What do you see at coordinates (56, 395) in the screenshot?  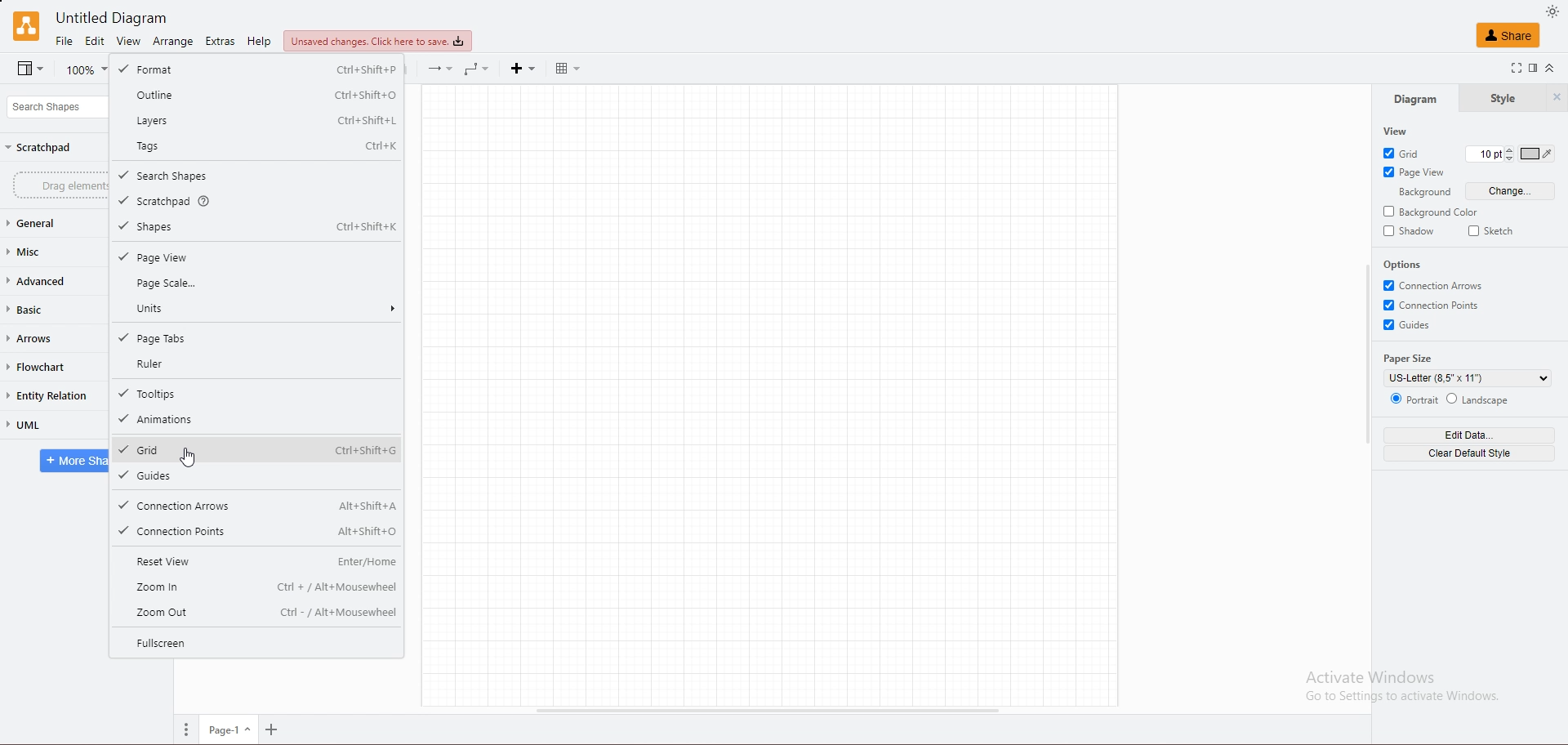 I see `entity relation` at bounding box center [56, 395].